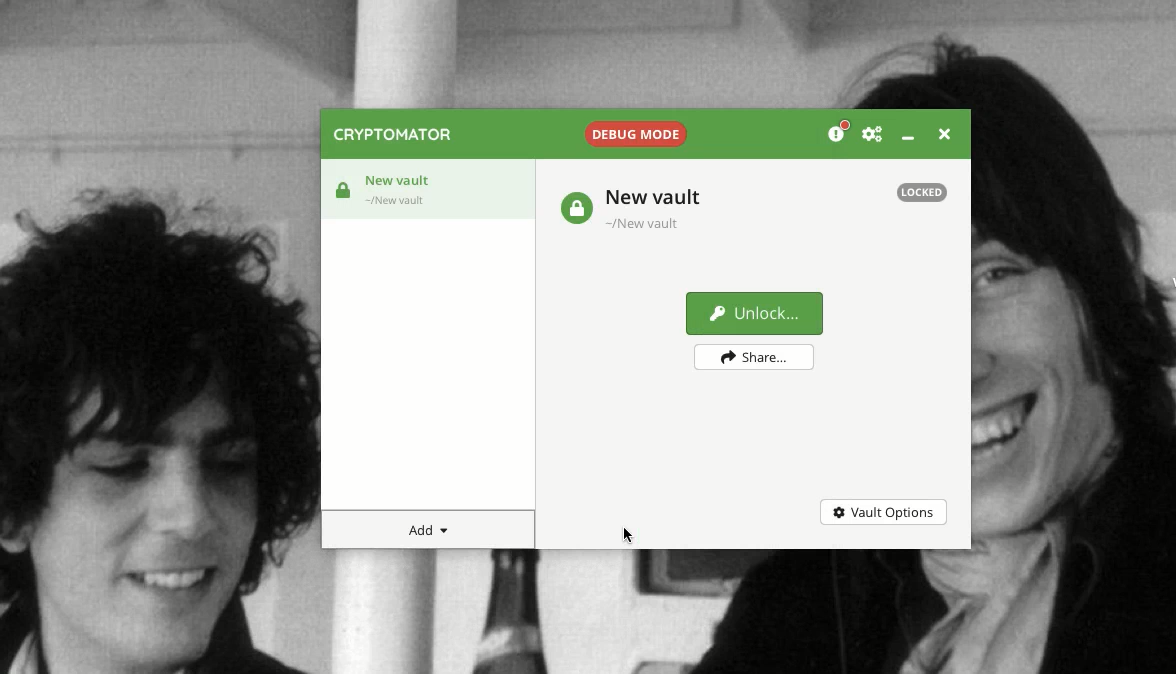 The height and width of the screenshot is (674, 1176). What do you see at coordinates (912, 140) in the screenshot?
I see `Minimize` at bounding box center [912, 140].